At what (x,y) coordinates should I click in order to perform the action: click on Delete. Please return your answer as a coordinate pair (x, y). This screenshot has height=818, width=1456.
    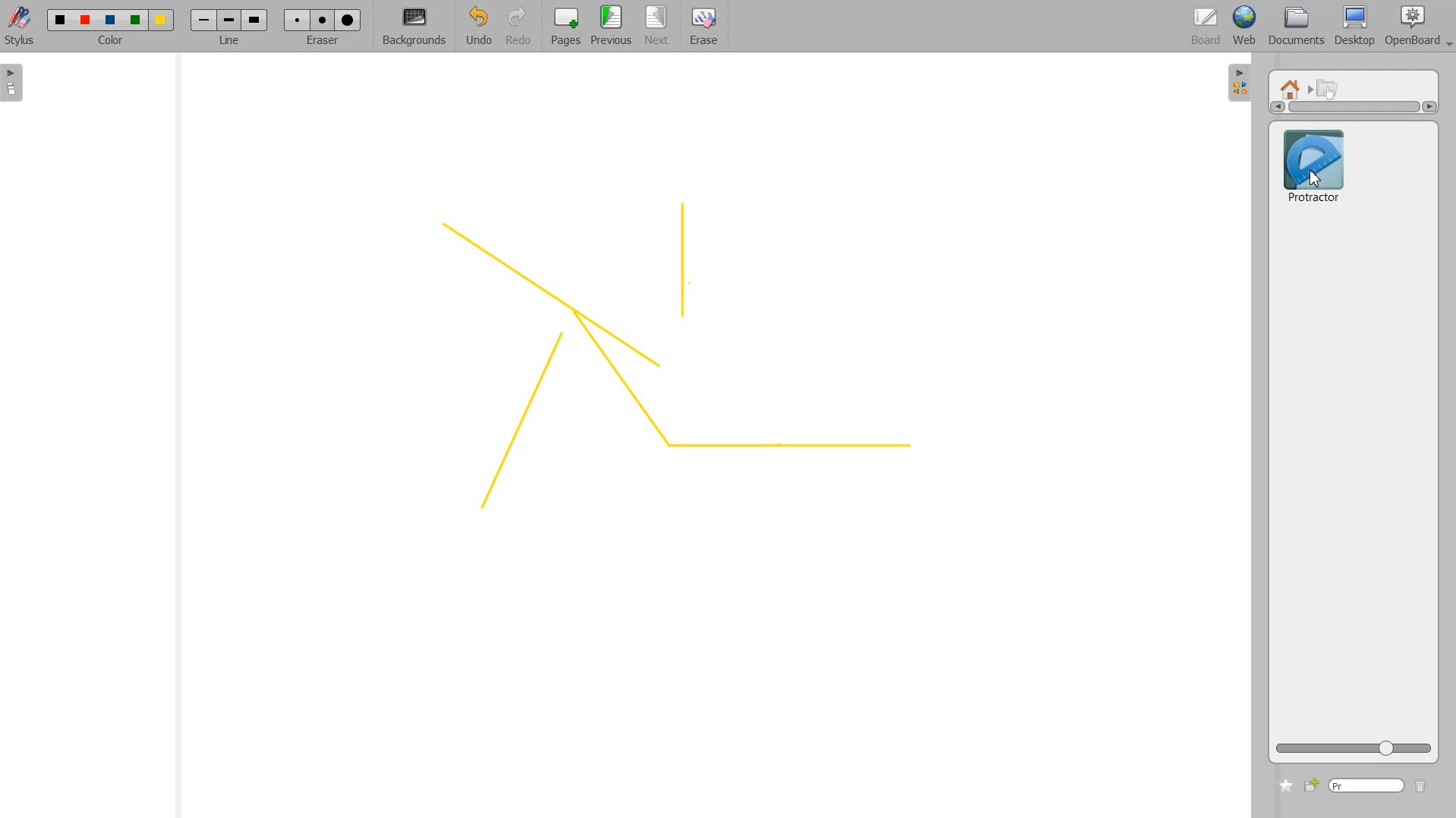
    Looking at the image, I should click on (1421, 787).